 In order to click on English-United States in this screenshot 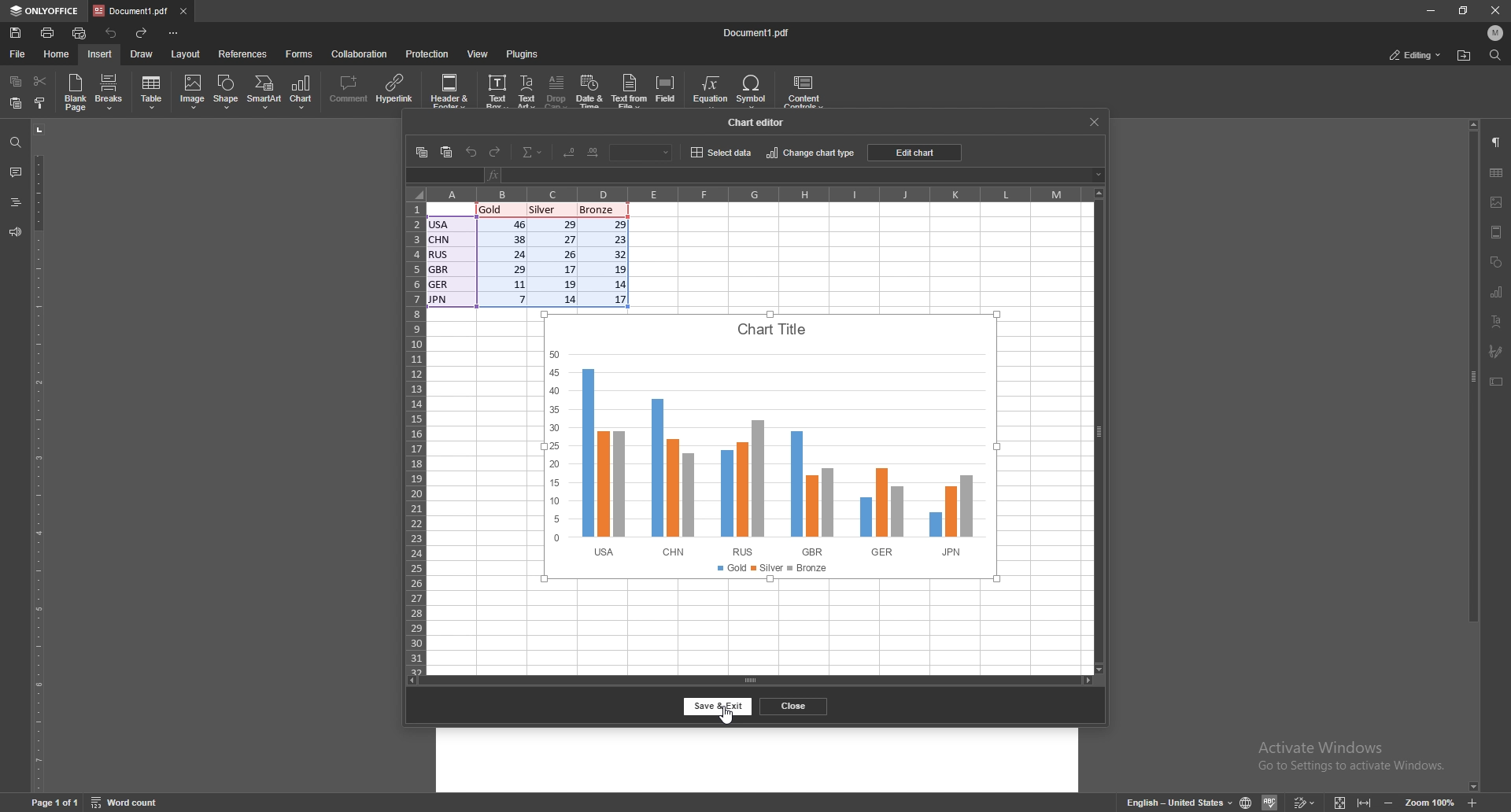, I will do `click(1203, 802)`.